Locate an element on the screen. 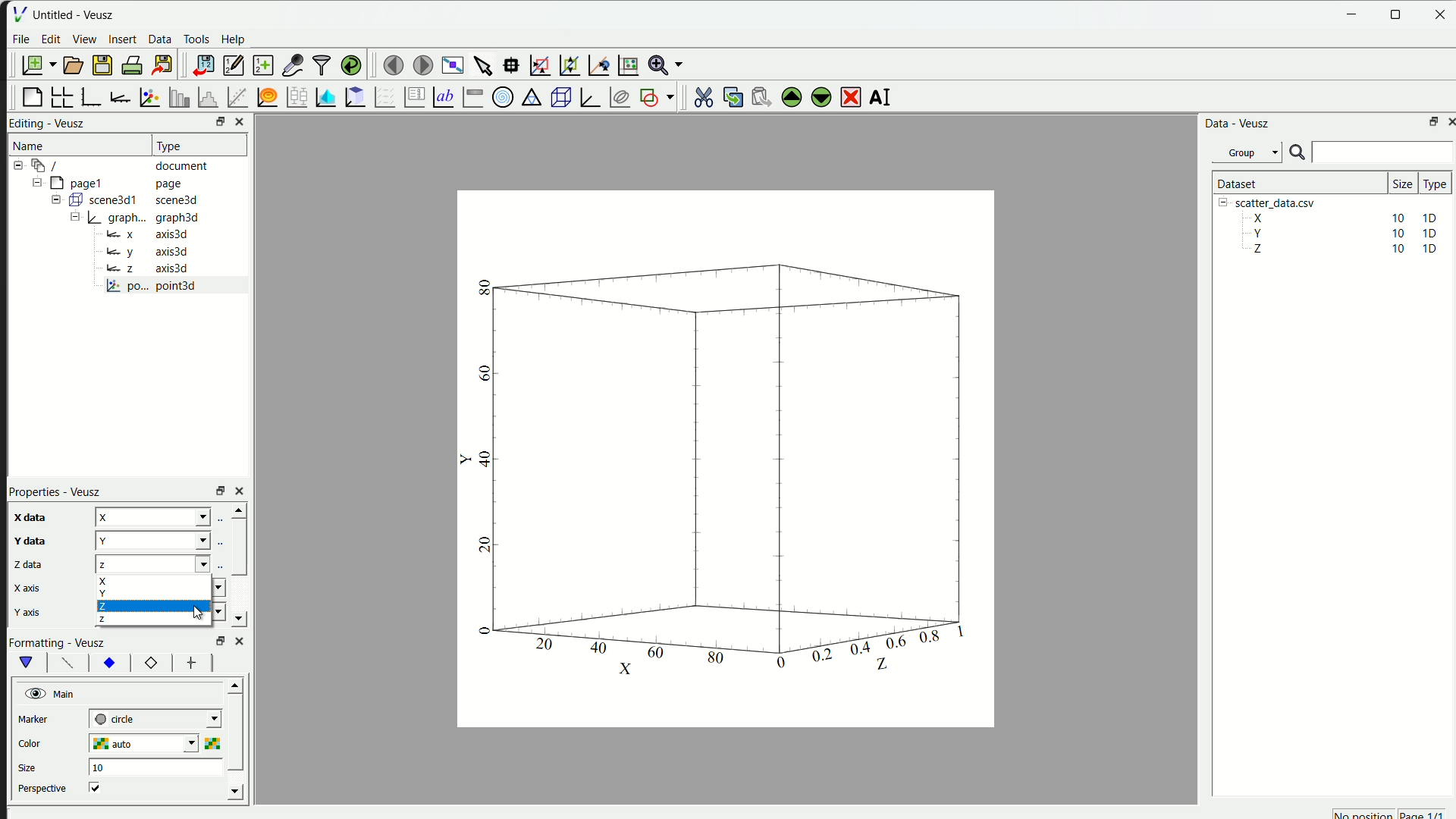  View is located at coordinates (83, 38).